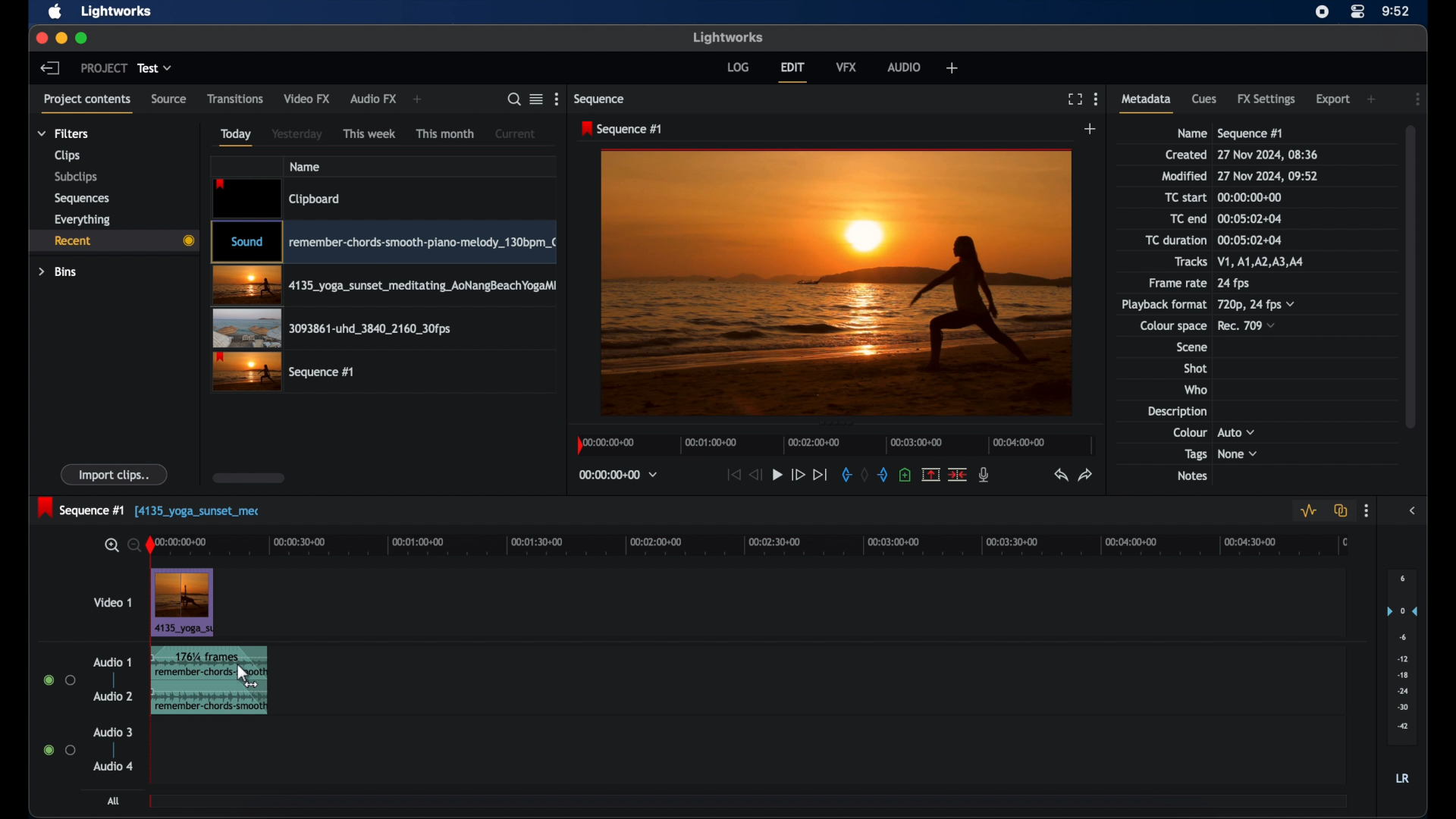 The height and width of the screenshot is (819, 1456). I want to click on cues, so click(1204, 98).